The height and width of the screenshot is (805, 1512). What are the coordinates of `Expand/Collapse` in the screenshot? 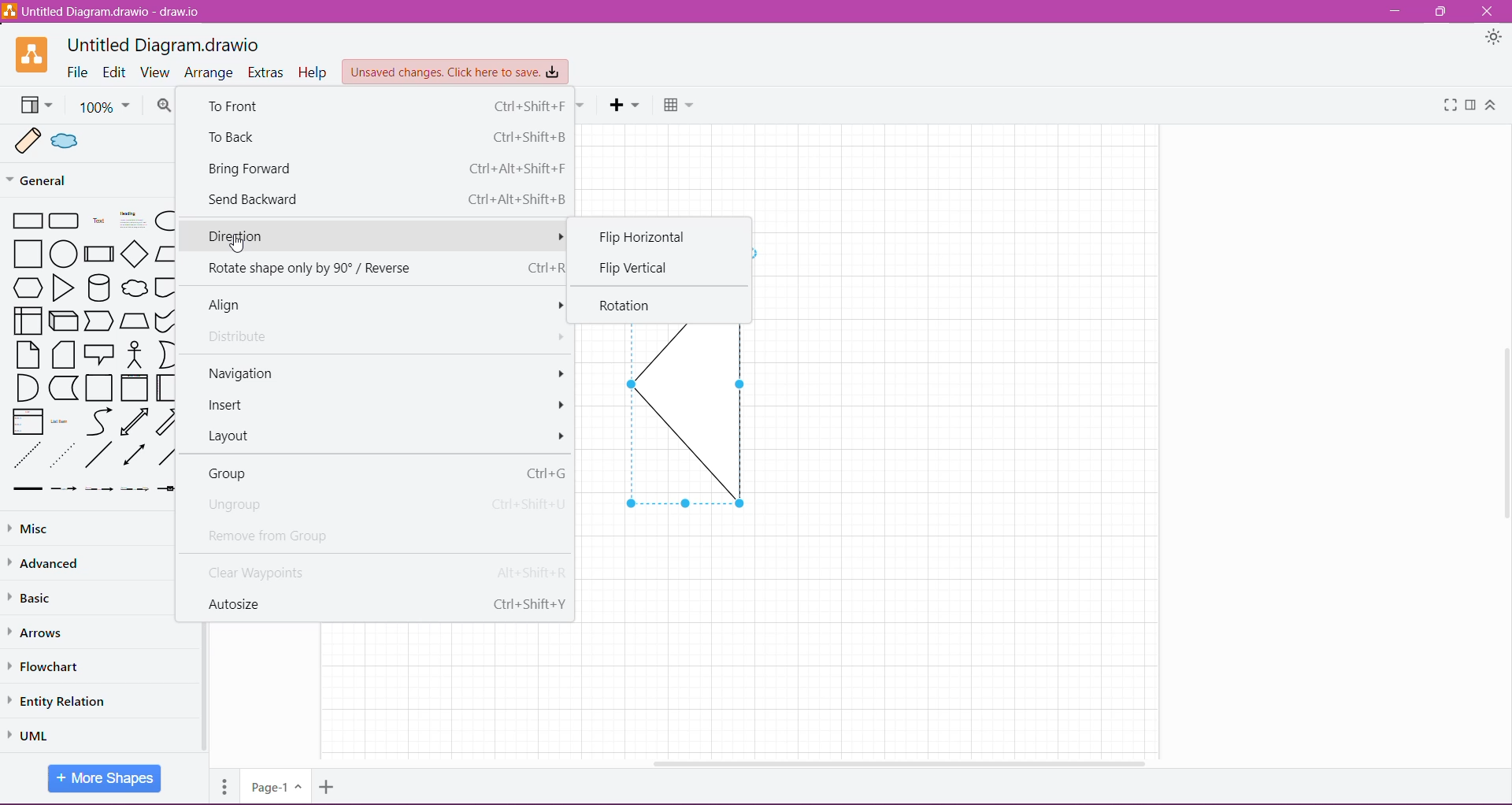 It's located at (1495, 106).